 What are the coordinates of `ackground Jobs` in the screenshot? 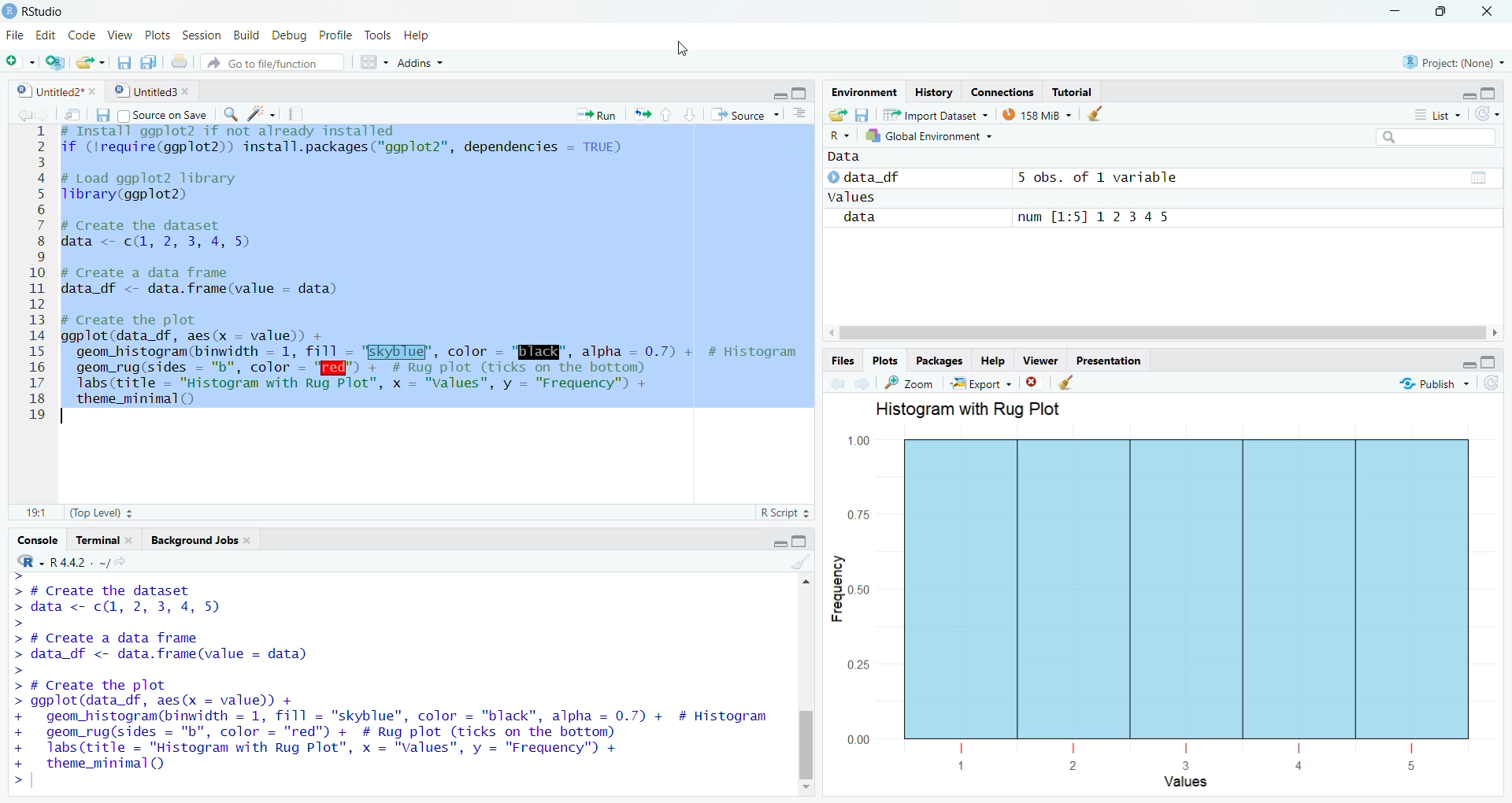 It's located at (202, 540).